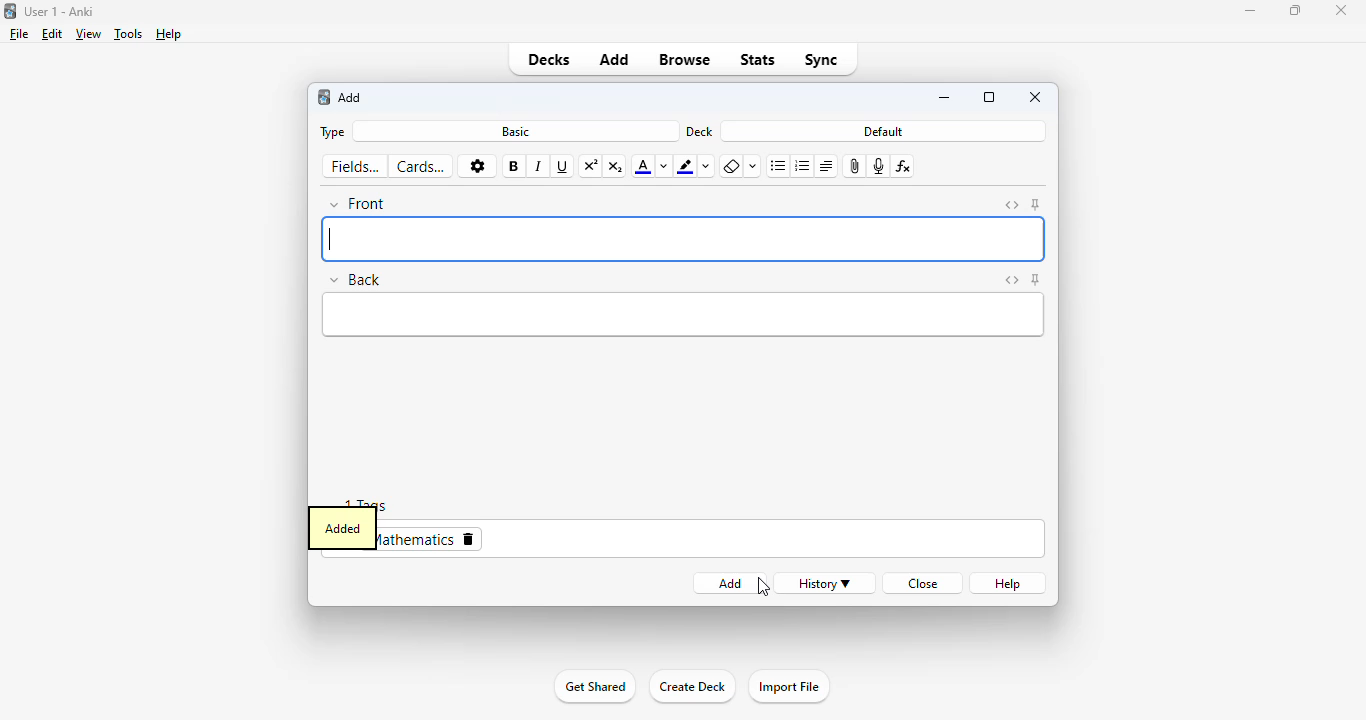 This screenshot has height=720, width=1366. What do you see at coordinates (682, 240) in the screenshot?
I see `front` at bounding box center [682, 240].